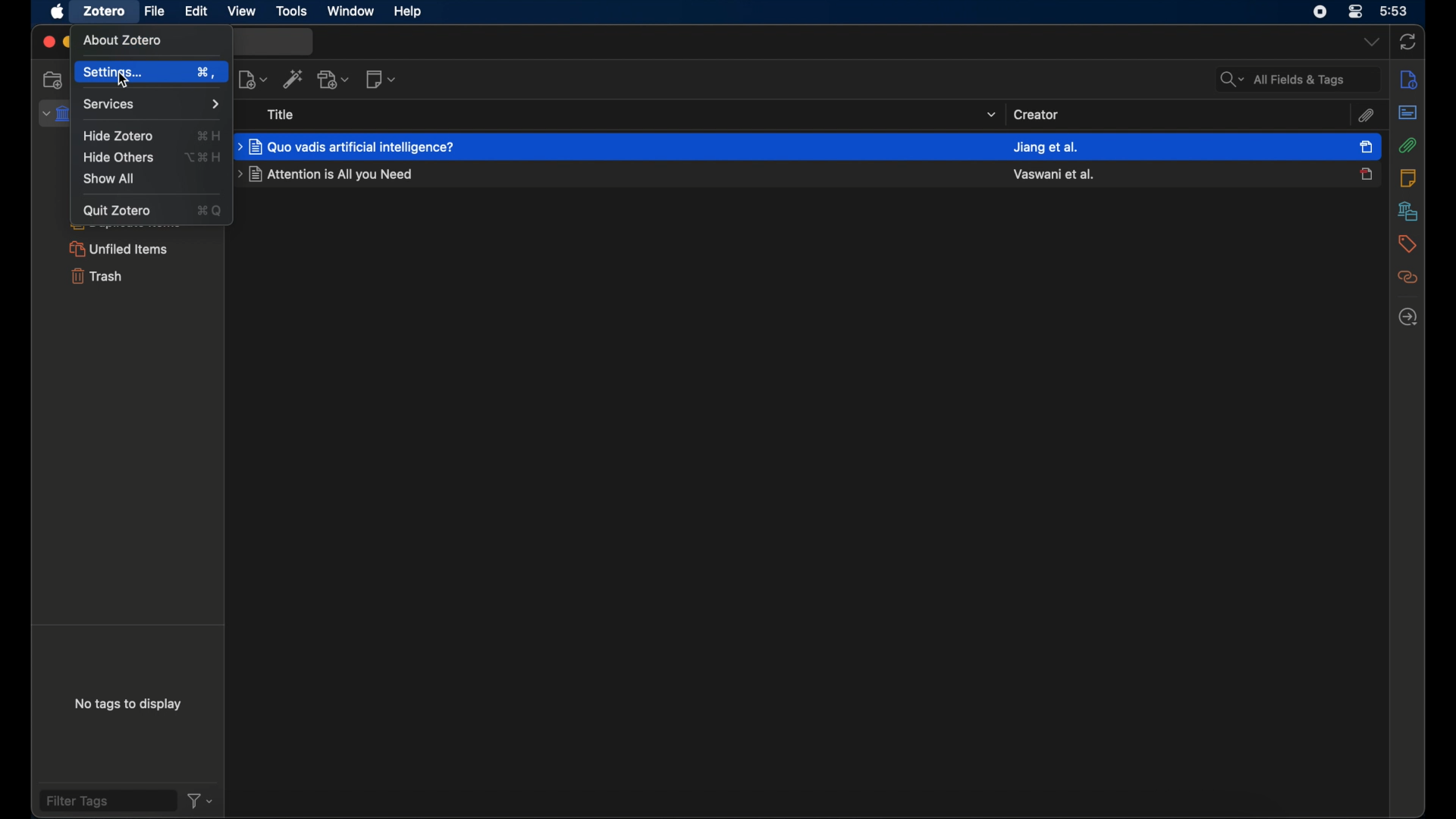  Describe the element at coordinates (1365, 147) in the screenshot. I see `item selected` at that location.